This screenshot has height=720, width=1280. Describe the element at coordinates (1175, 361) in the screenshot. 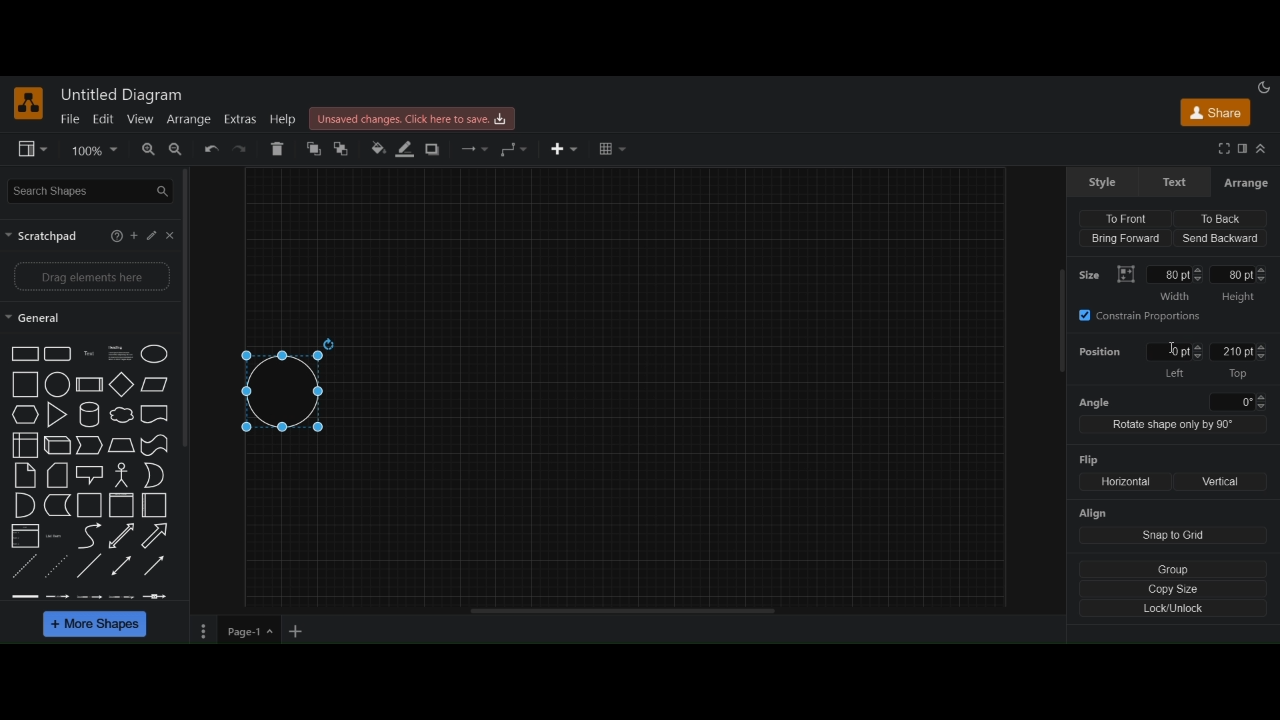

I see `0 as position left` at that location.